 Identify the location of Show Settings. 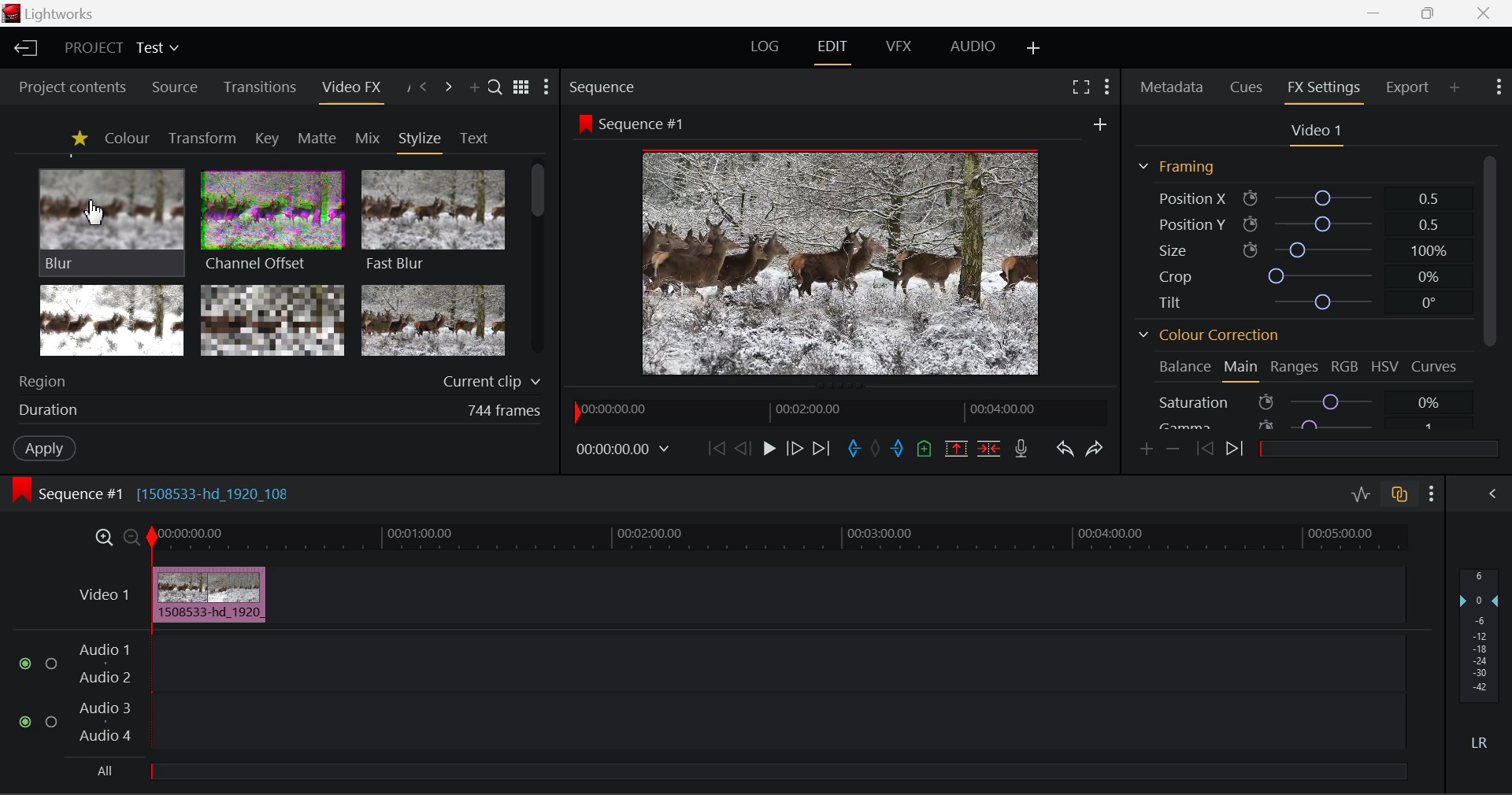
(1107, 85).